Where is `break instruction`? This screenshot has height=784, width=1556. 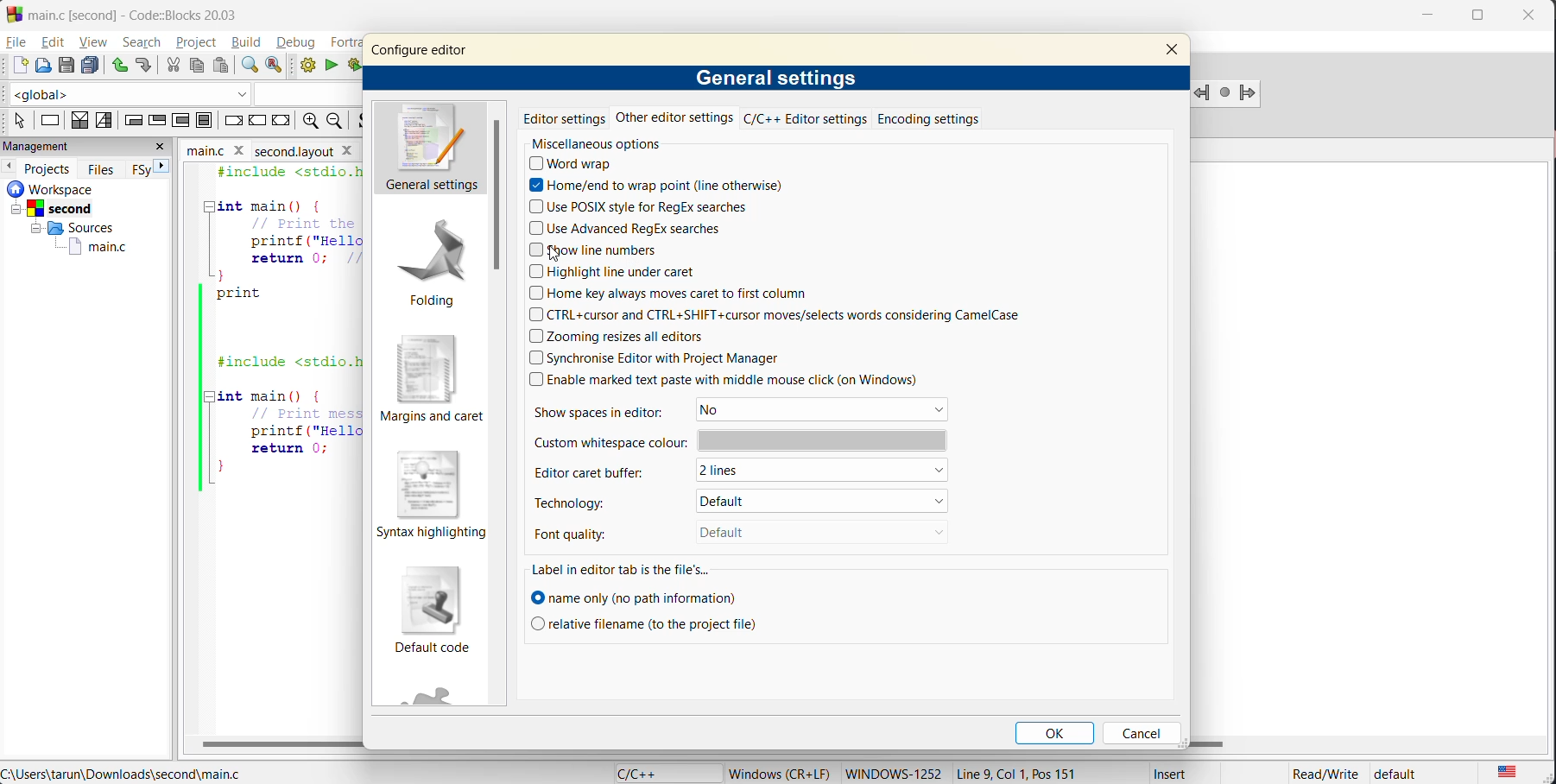 break instruction is located at coordinates (231, 121).